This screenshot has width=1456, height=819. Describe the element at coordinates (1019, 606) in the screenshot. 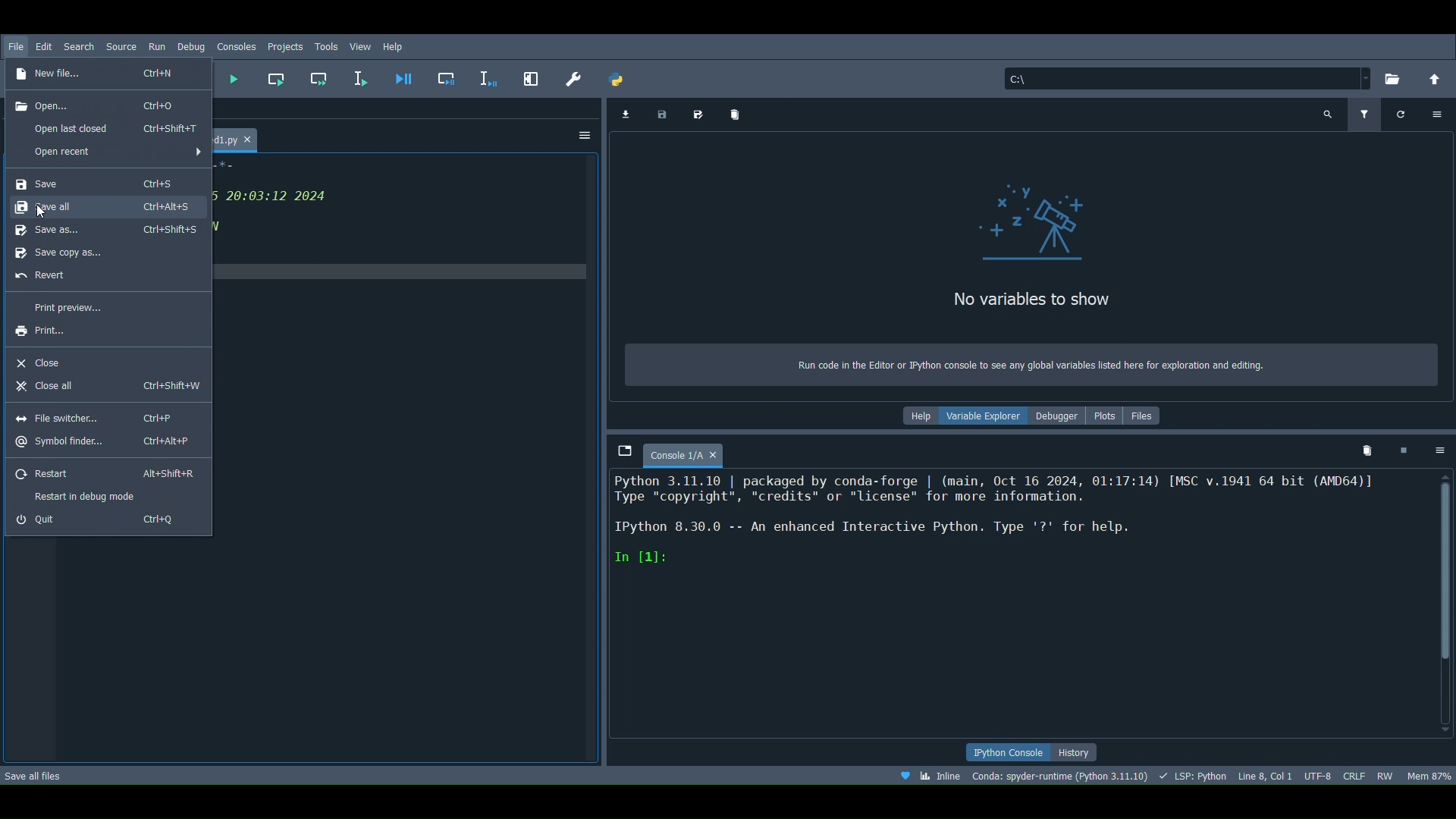

I see `Console` at that location.